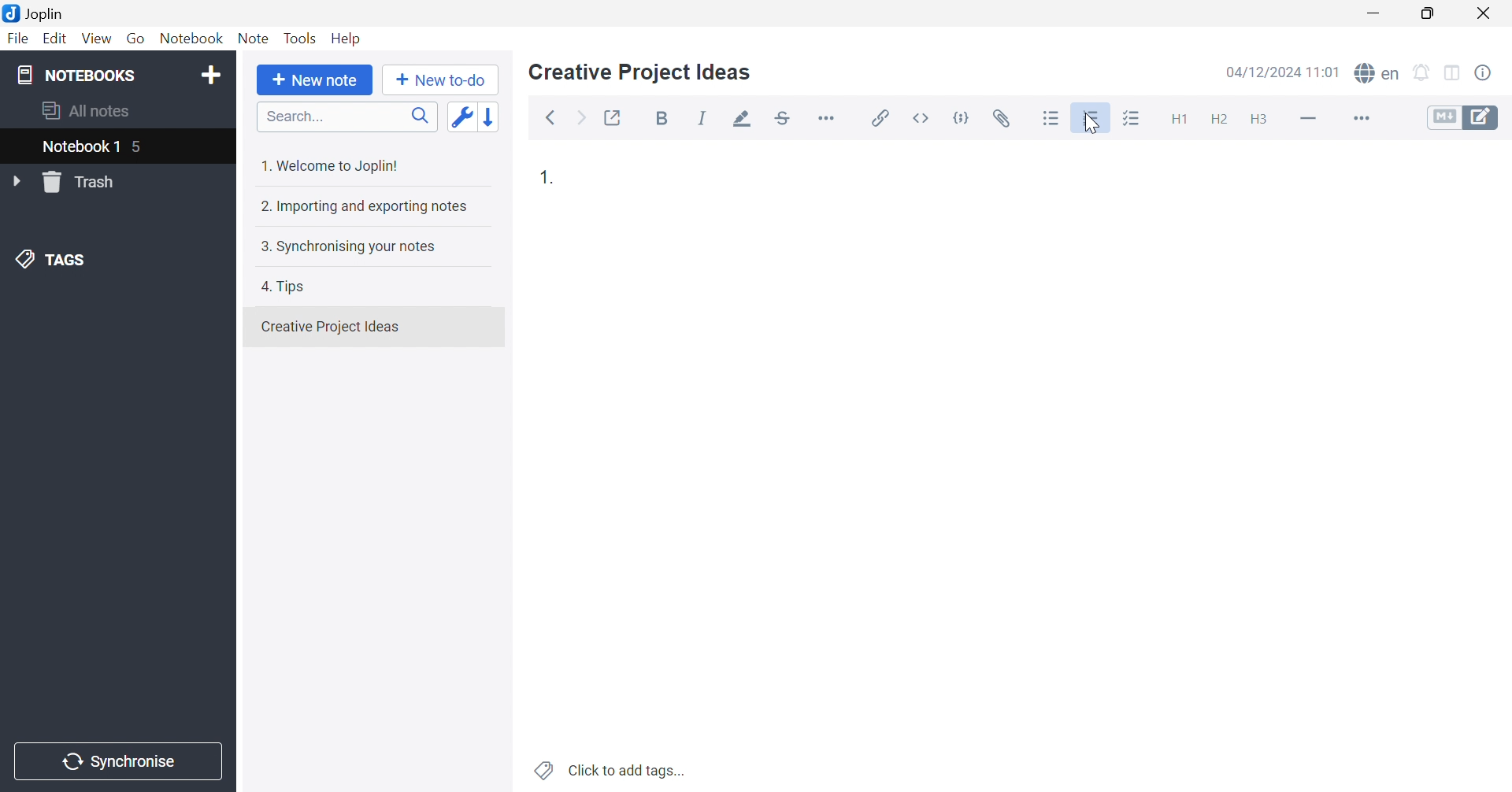 The width and height of the screenshot is (1512, 792). Describe the element at coordinates (37, 12) in the screenshot. I see `Joplin` at that location.